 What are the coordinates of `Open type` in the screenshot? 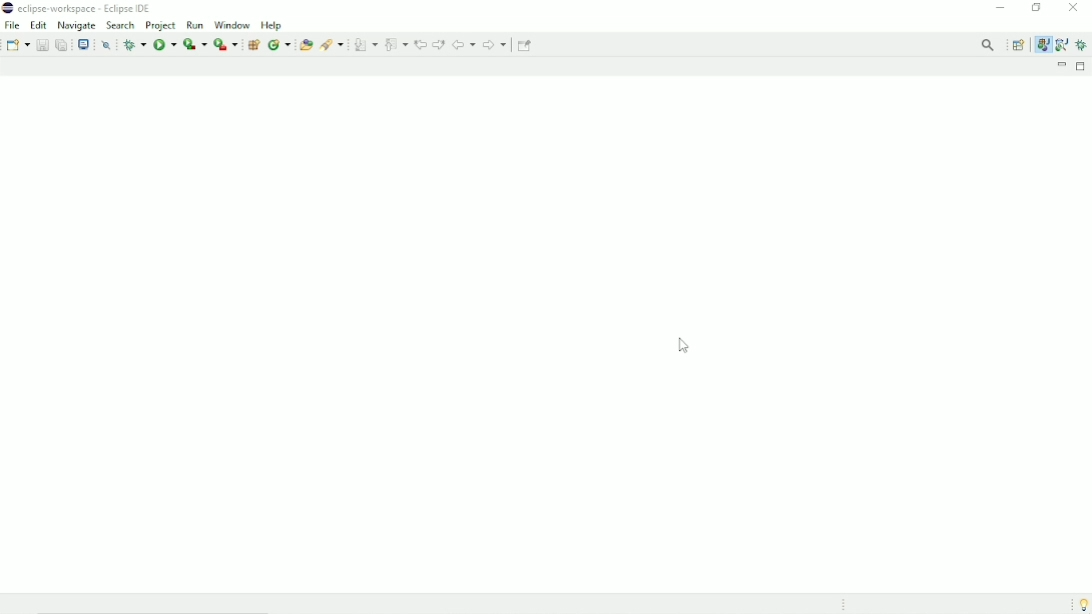 It's located at (305, 44).